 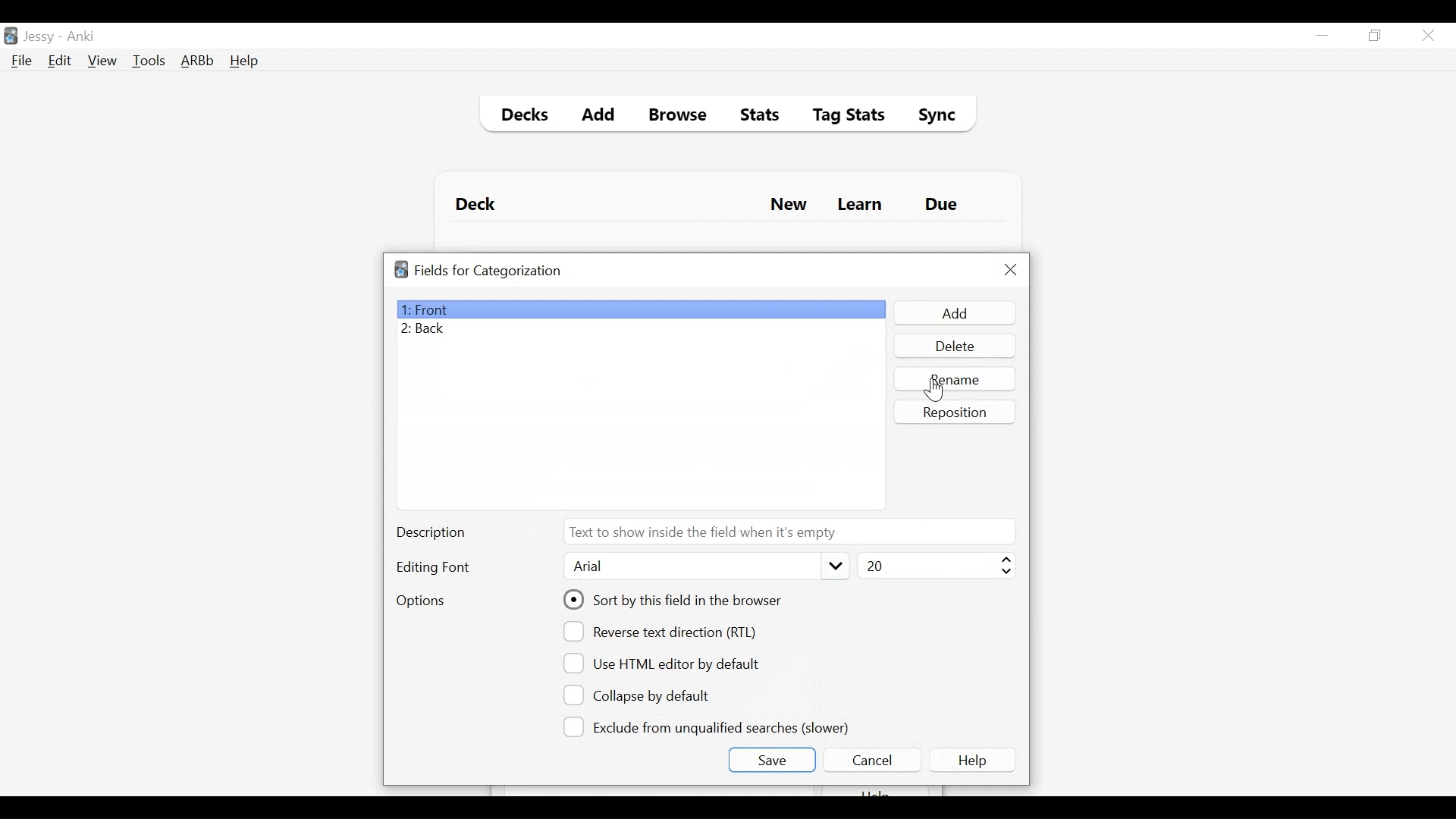 What do you see at coordinates (479, 205) in the screenshot?
I see `Deck` at bounding box center [479, 205].